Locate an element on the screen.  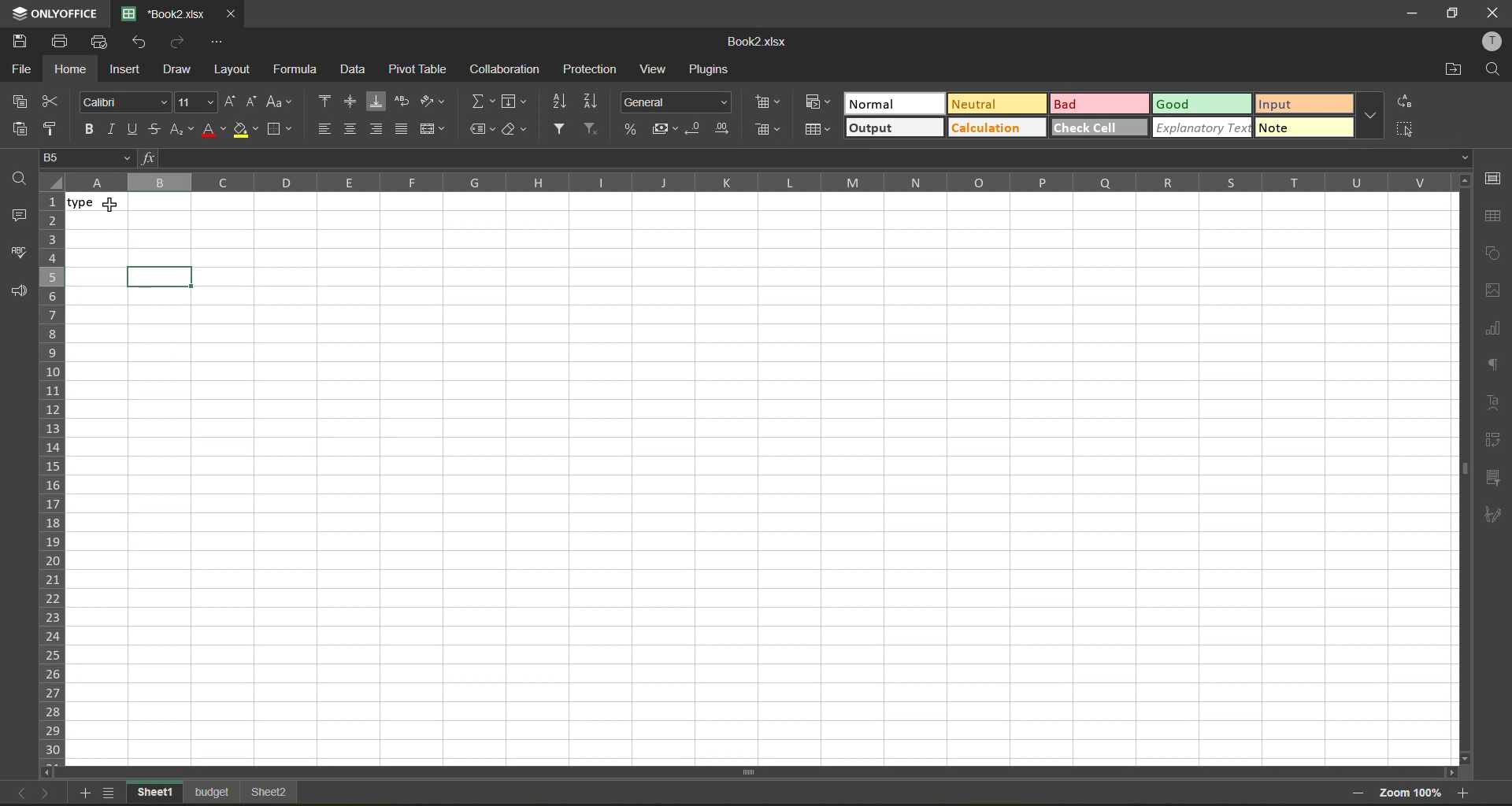
select all is located at coordinates (1407, 127).